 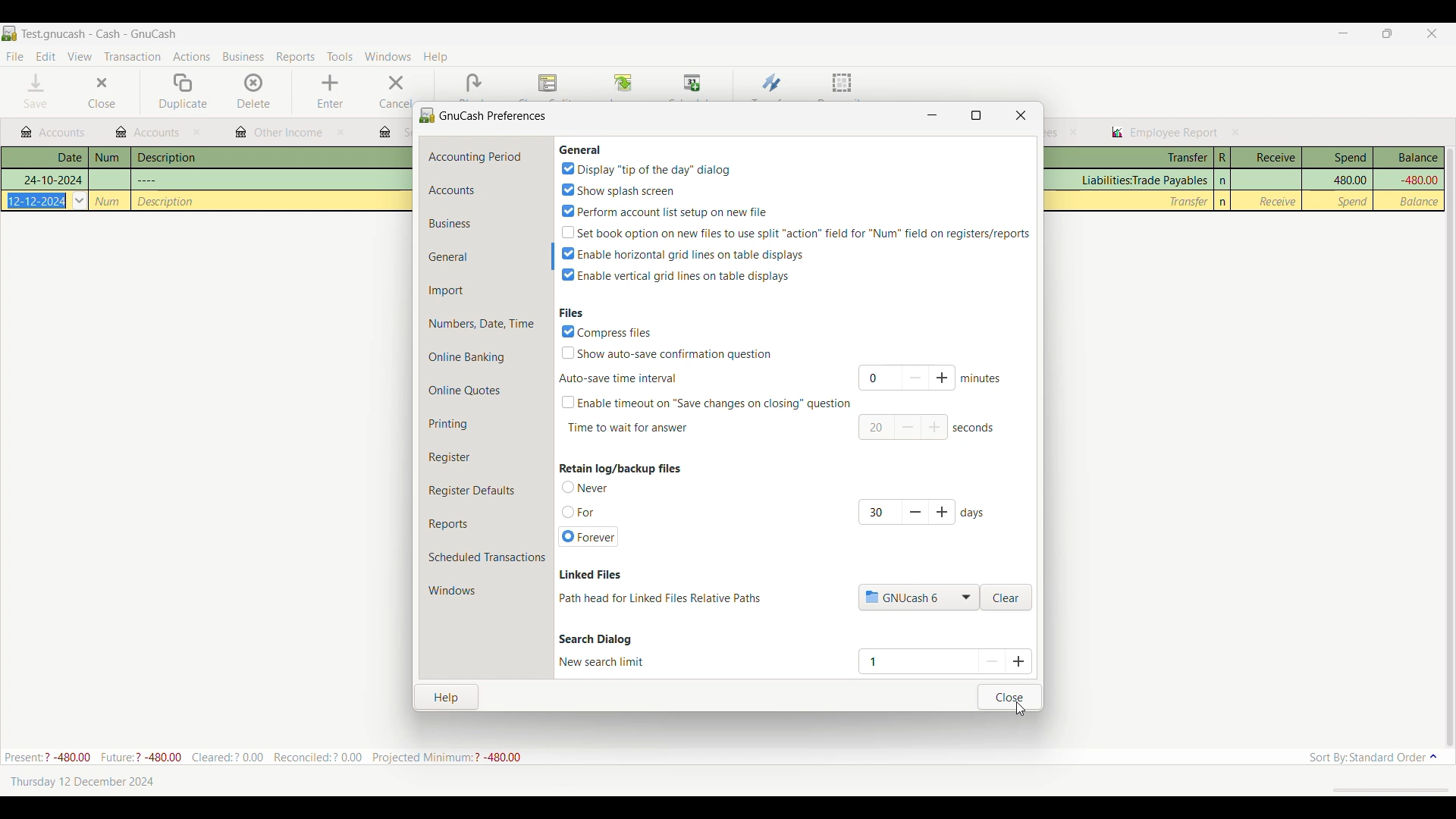 I want to click on days, so click(x=975, y=513).